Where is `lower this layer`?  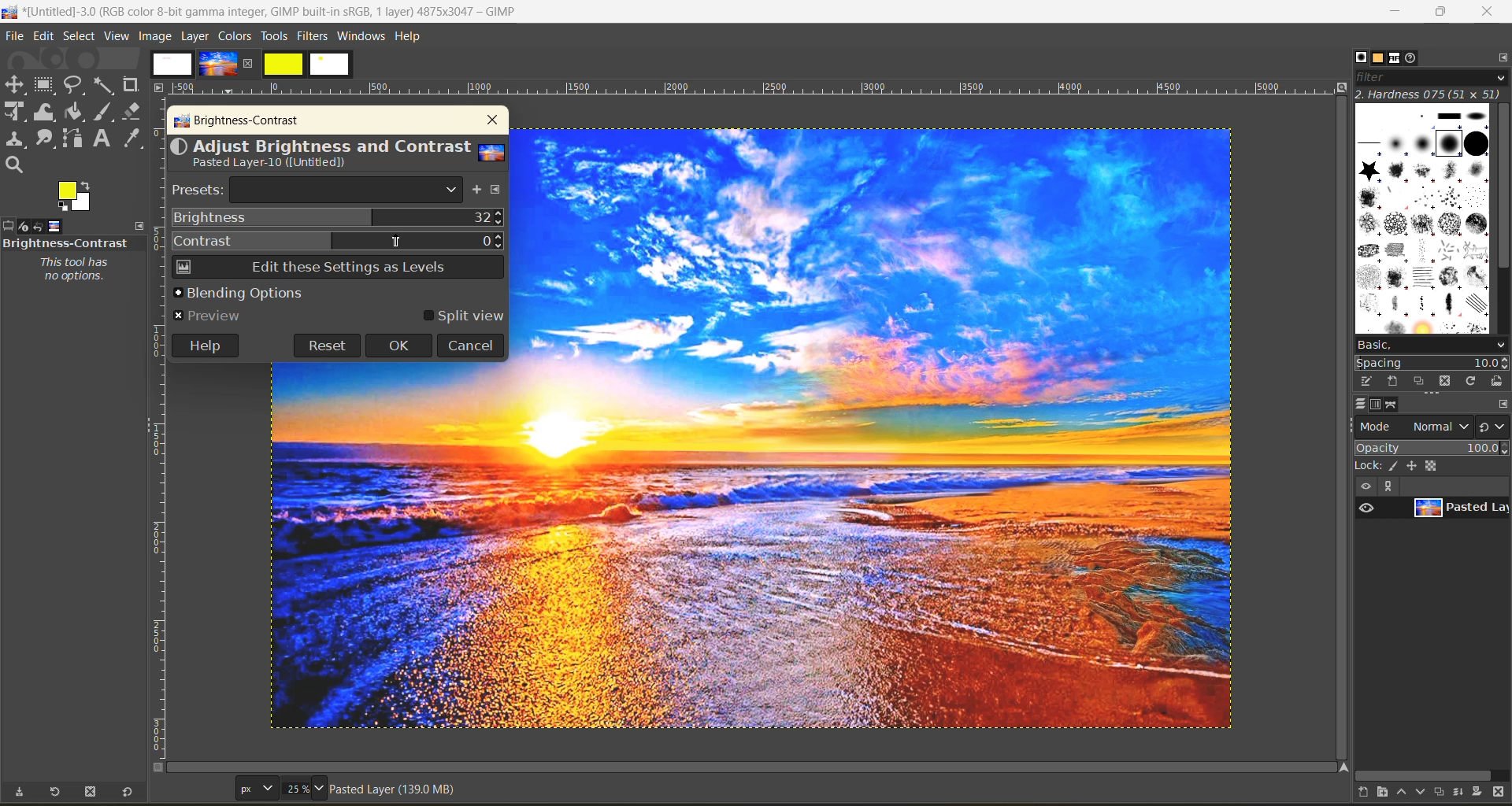
lower this layer is located at coordinates (1422, 793).